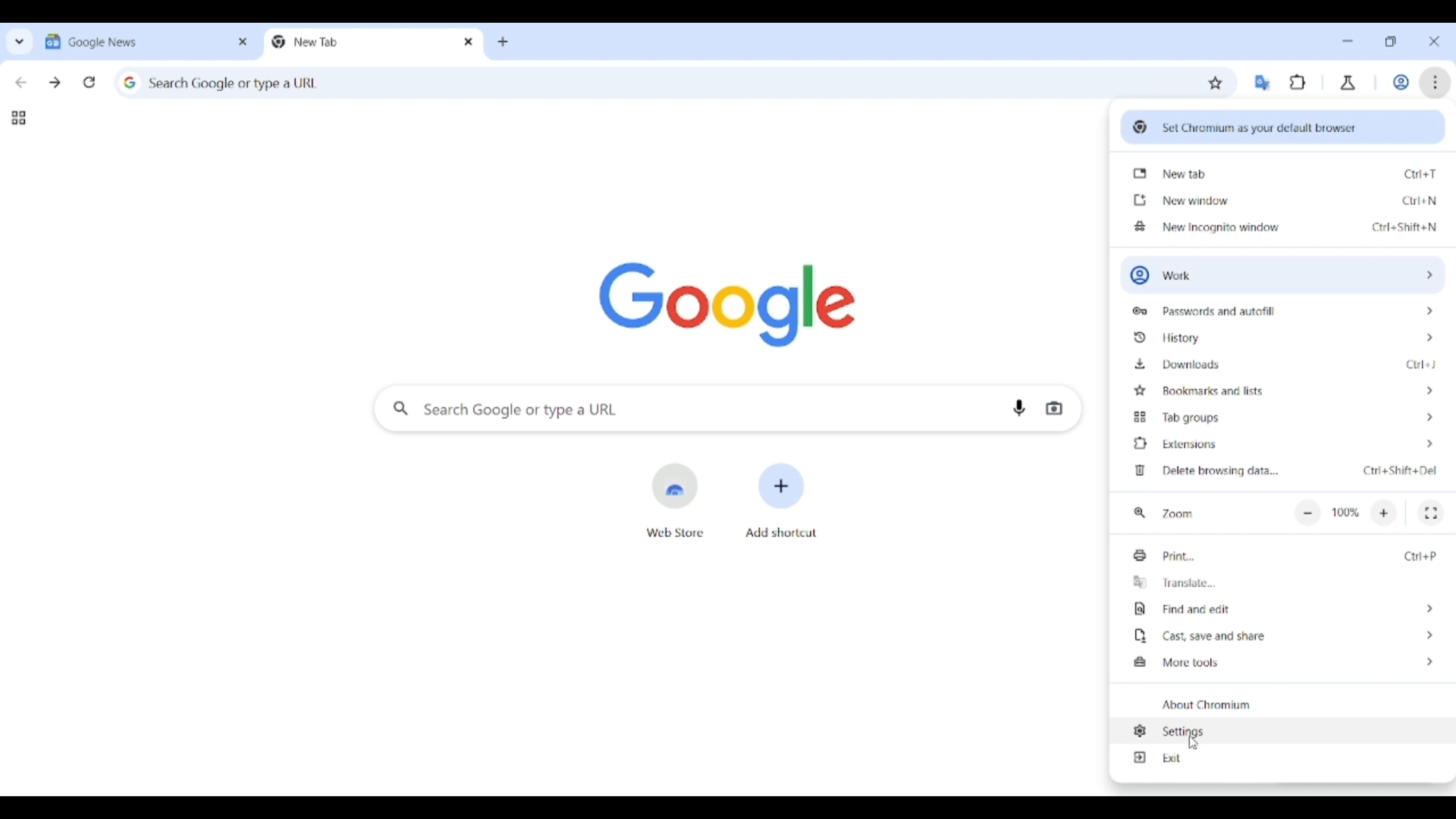 Image resolution: width=1456 pixels, height=819 pixels. What do you see at coordinates (689, 408) in the screenshot?
I see `Search Google or enter web link` at bounding box center [689, 408].